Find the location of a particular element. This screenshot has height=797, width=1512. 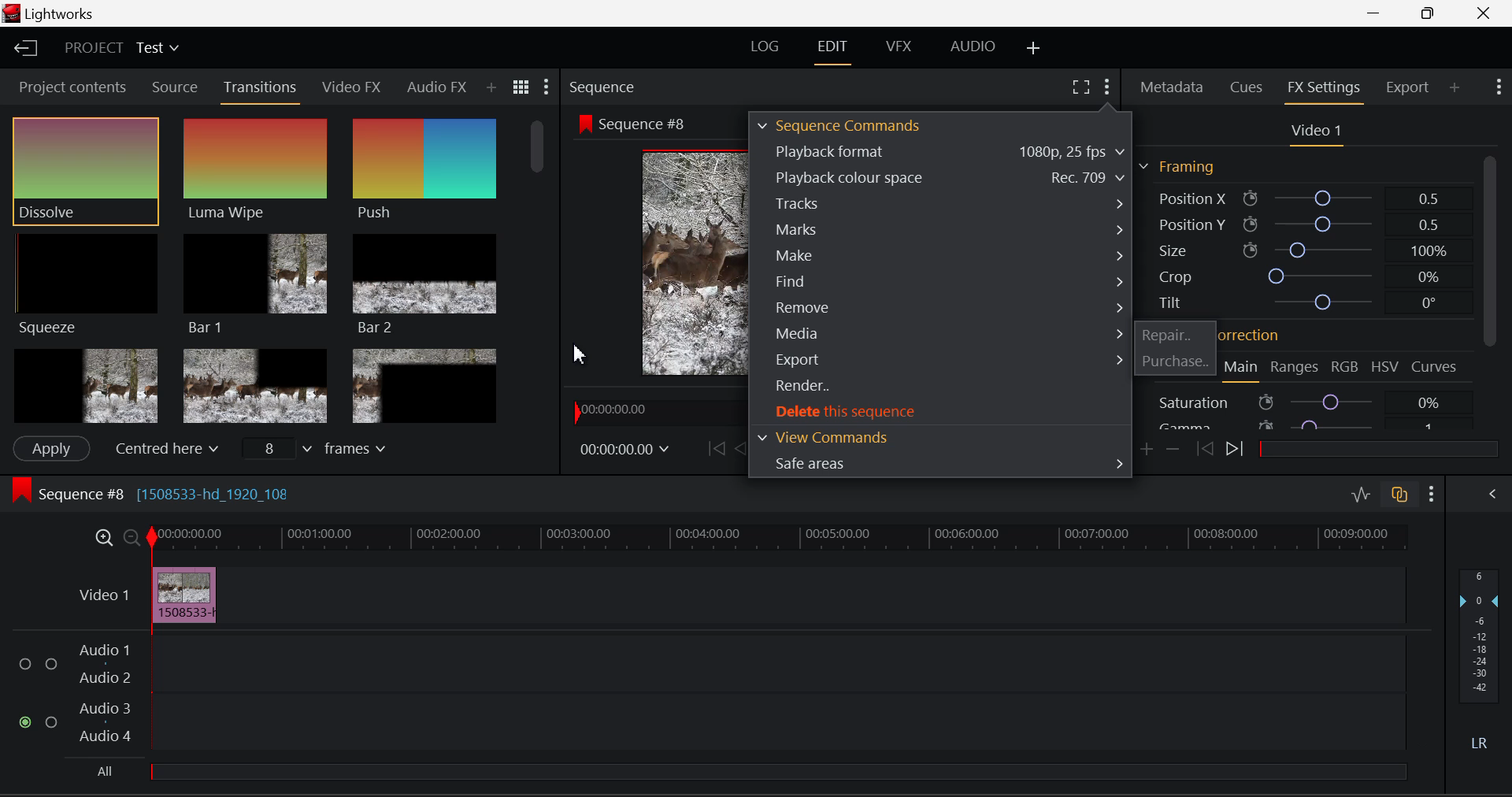

Metadata is located at coordinates (1173, 87).